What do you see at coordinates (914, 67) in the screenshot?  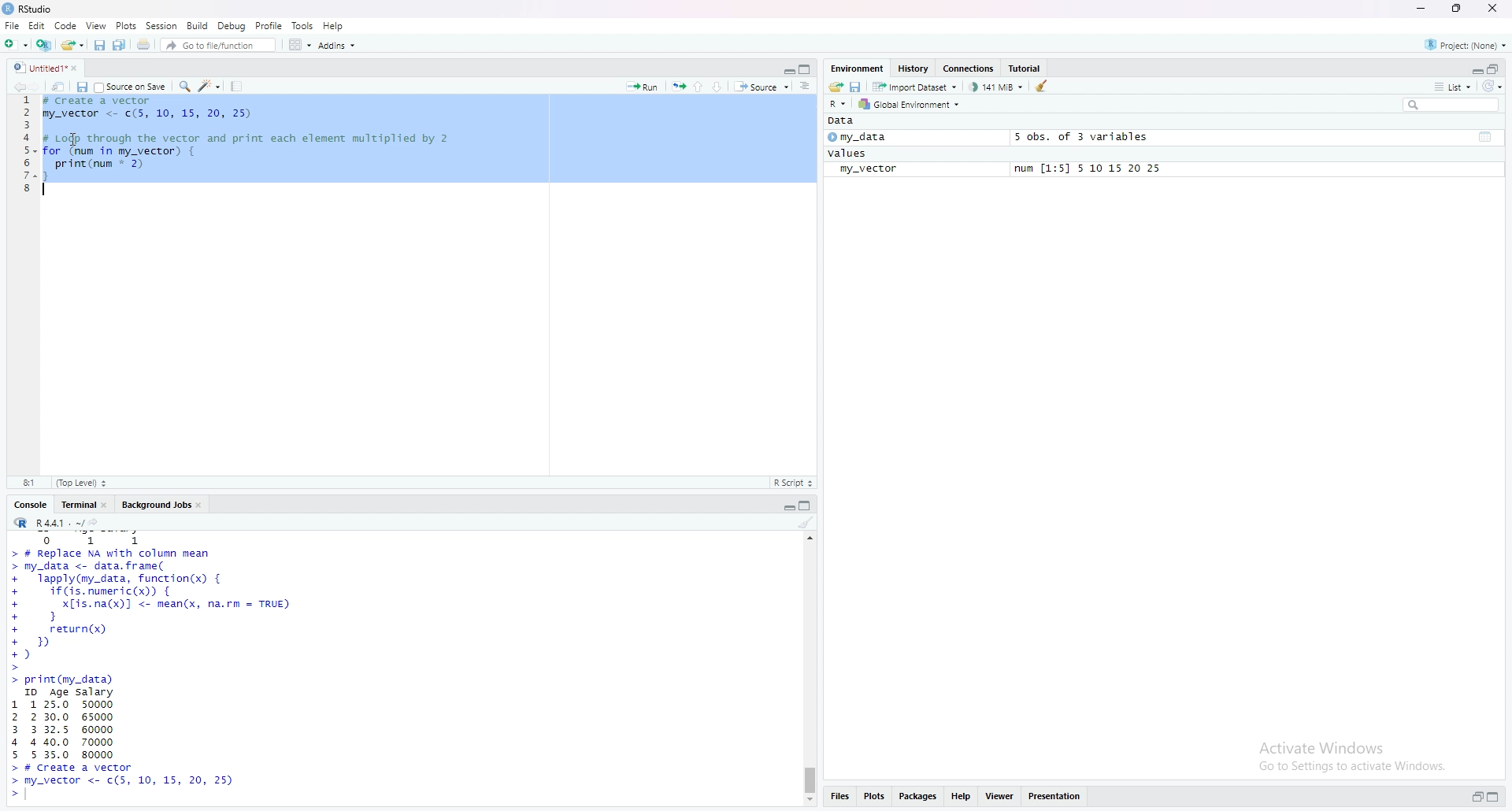 I see `History` at bounding box center [914, 67].